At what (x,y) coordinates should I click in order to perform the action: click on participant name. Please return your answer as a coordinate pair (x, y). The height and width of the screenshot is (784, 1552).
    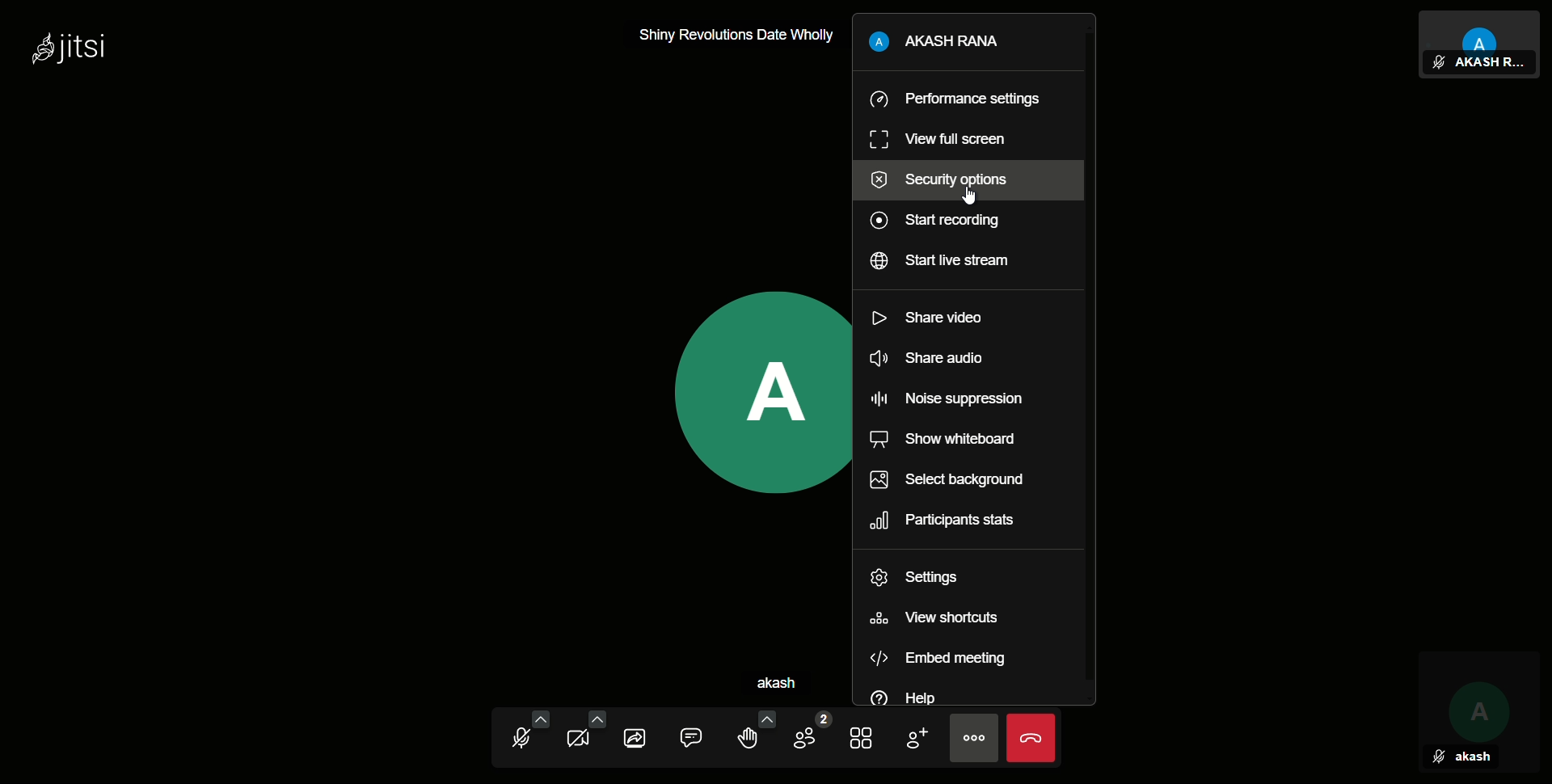
    Looking at the image, I should click on (1487, 64).